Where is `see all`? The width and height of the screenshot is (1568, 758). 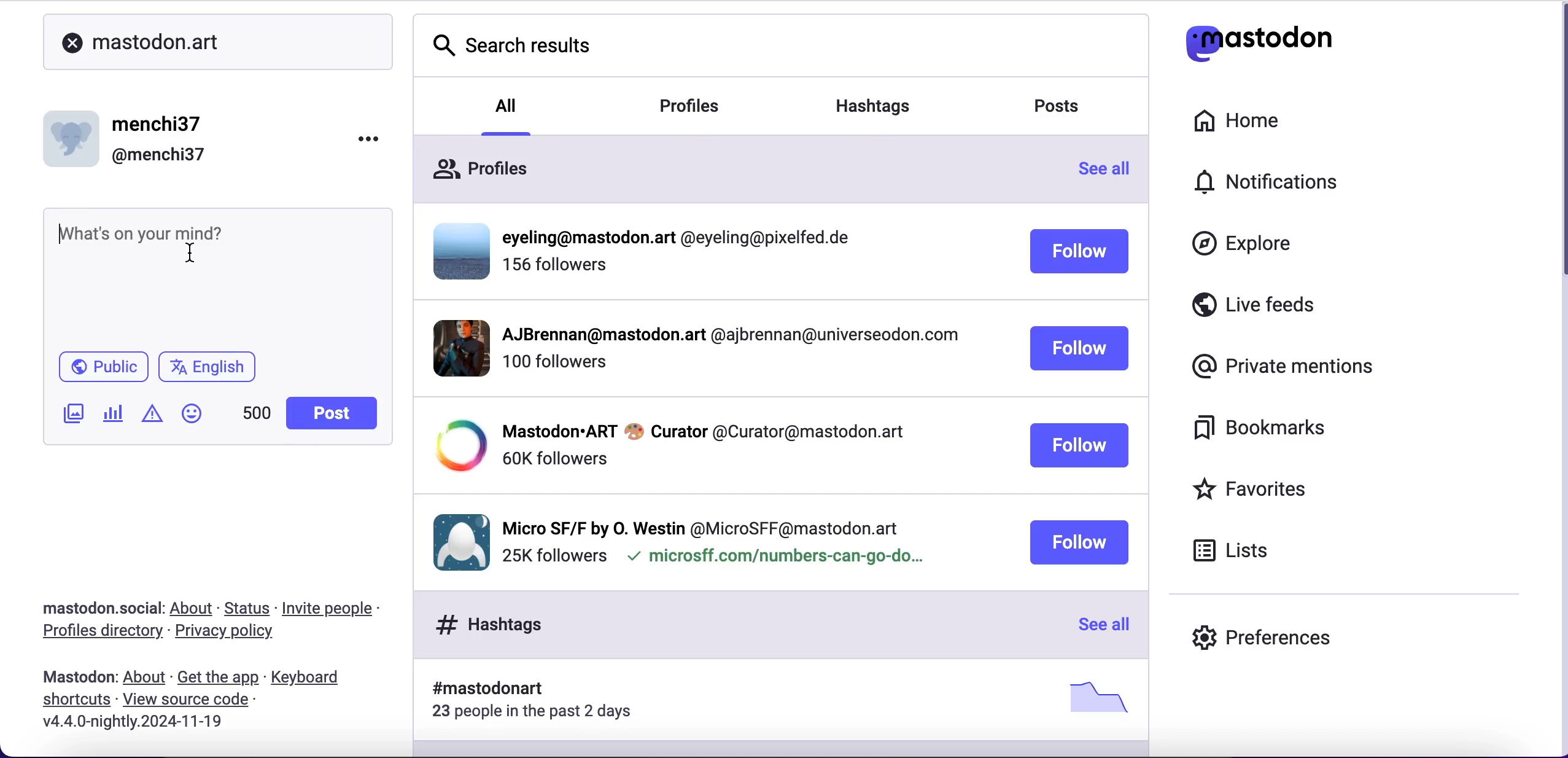
see all is located at coordinates (1098, 623).